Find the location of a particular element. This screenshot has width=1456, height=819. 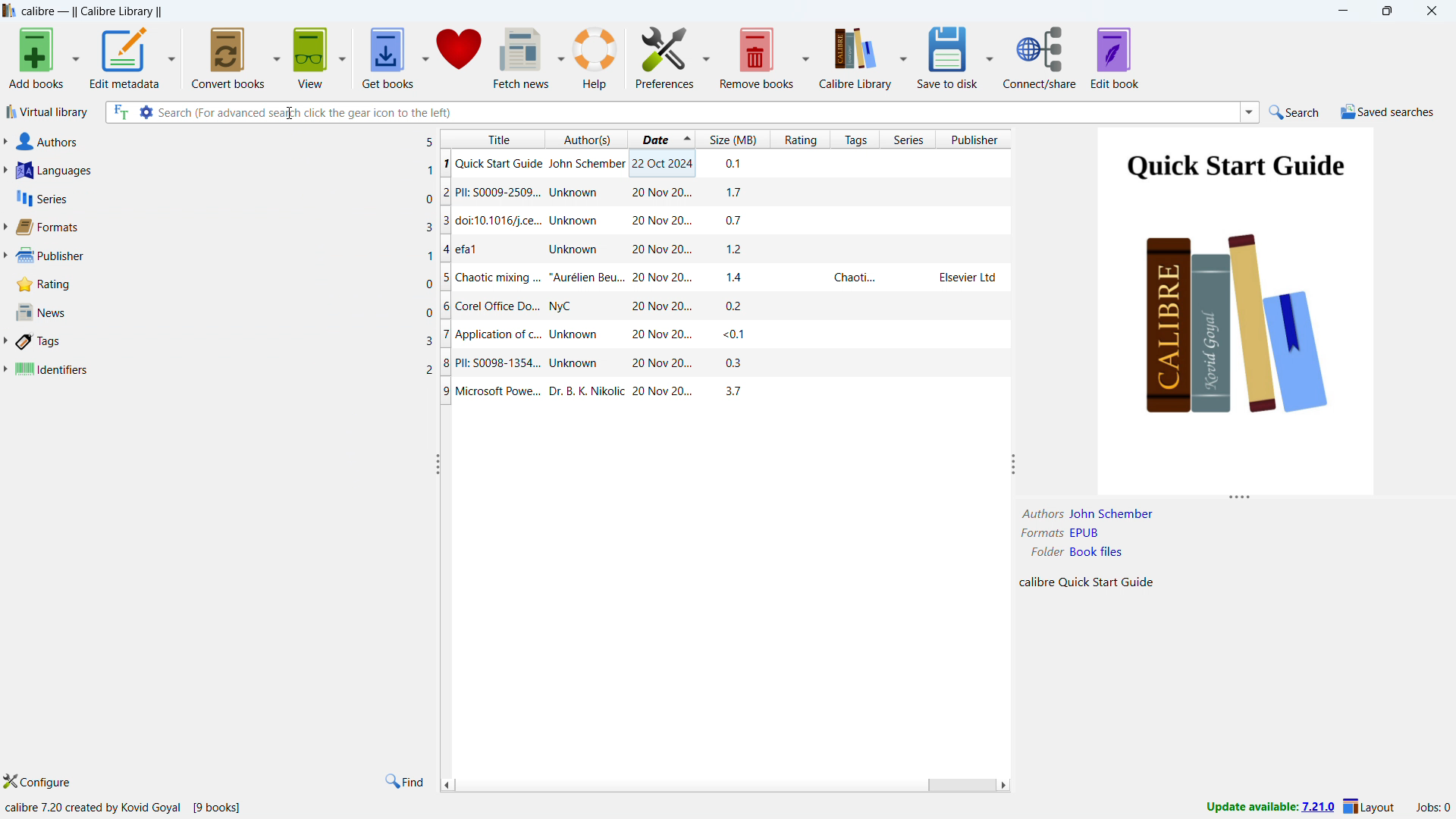

fetch news options is located at coordinates (560, 56).